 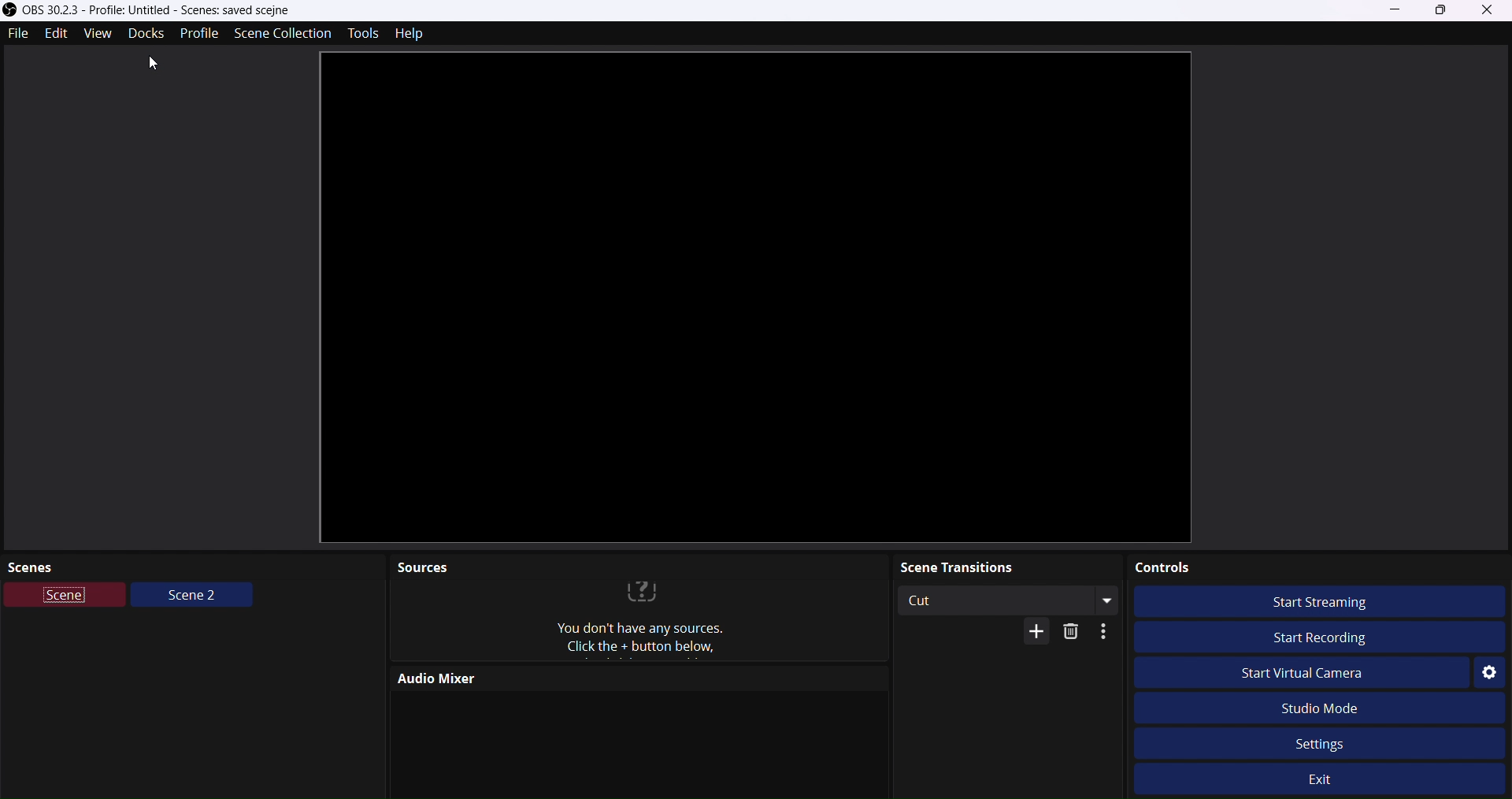 I want to click on Start virtual camera, so click(x=1316, y=674).